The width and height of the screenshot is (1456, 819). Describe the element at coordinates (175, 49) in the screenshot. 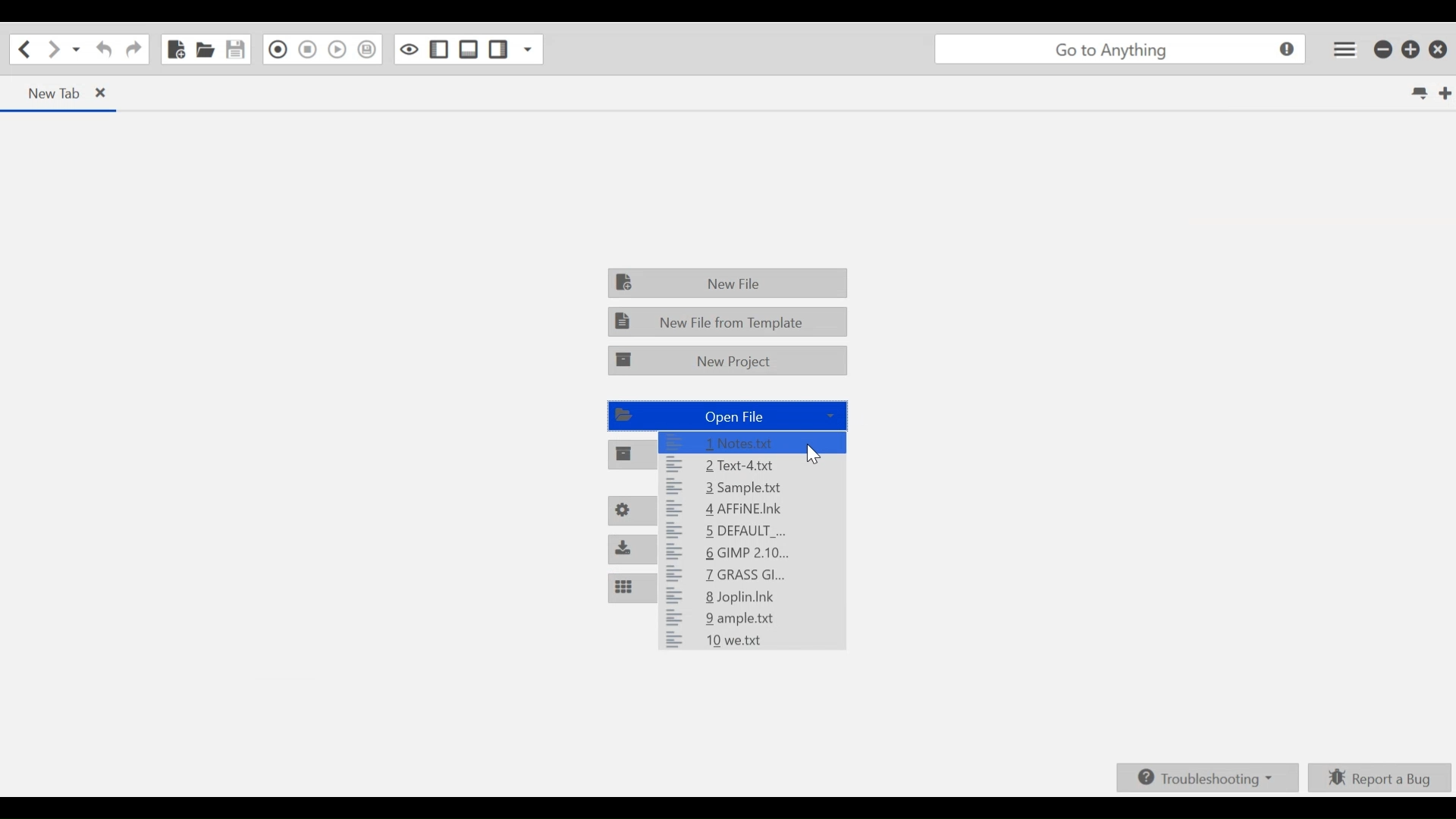

I see `new file` at that location.